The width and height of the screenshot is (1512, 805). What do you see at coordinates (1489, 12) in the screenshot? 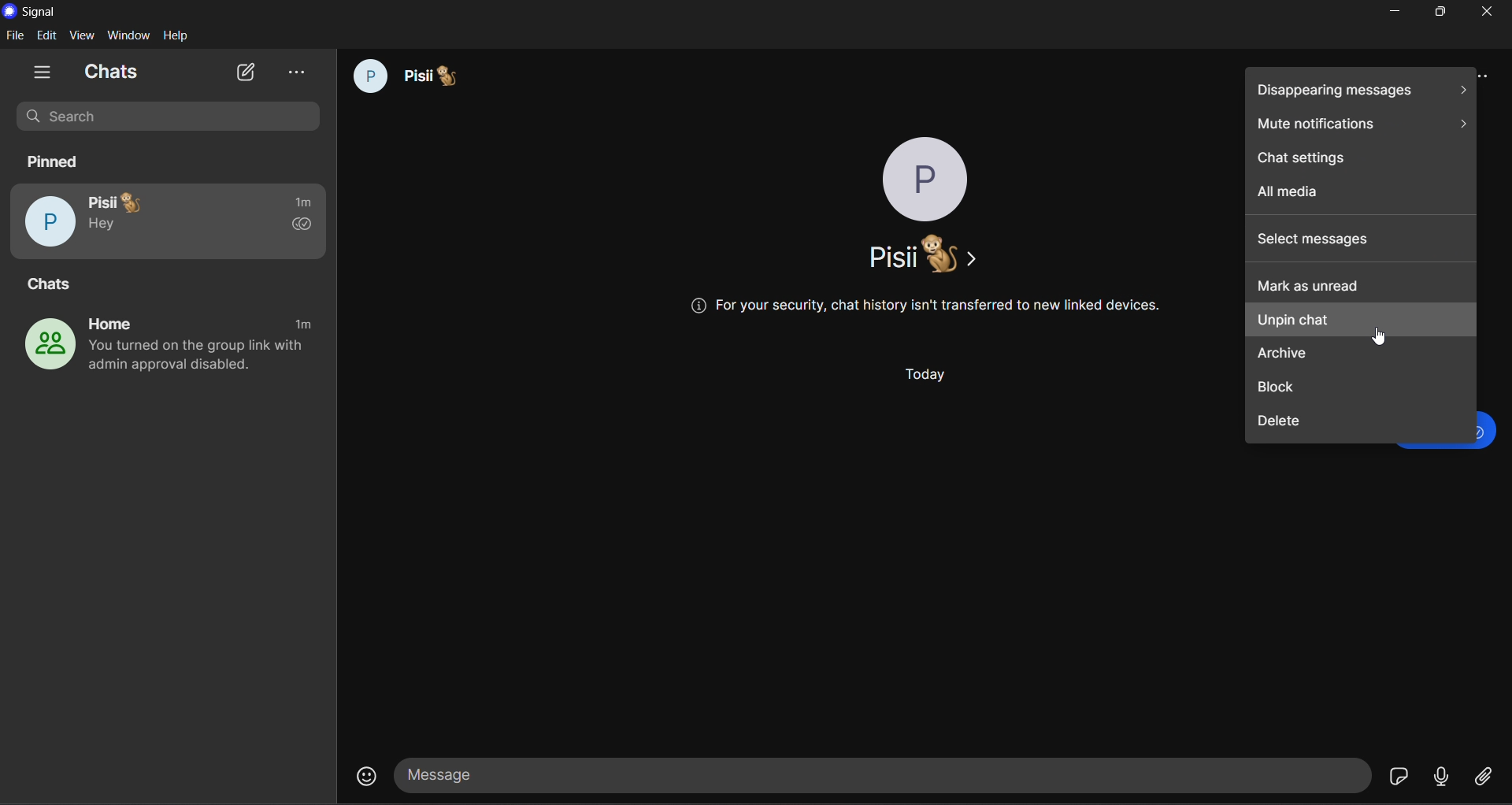
I see `close` at bounding box center [1489, 12].